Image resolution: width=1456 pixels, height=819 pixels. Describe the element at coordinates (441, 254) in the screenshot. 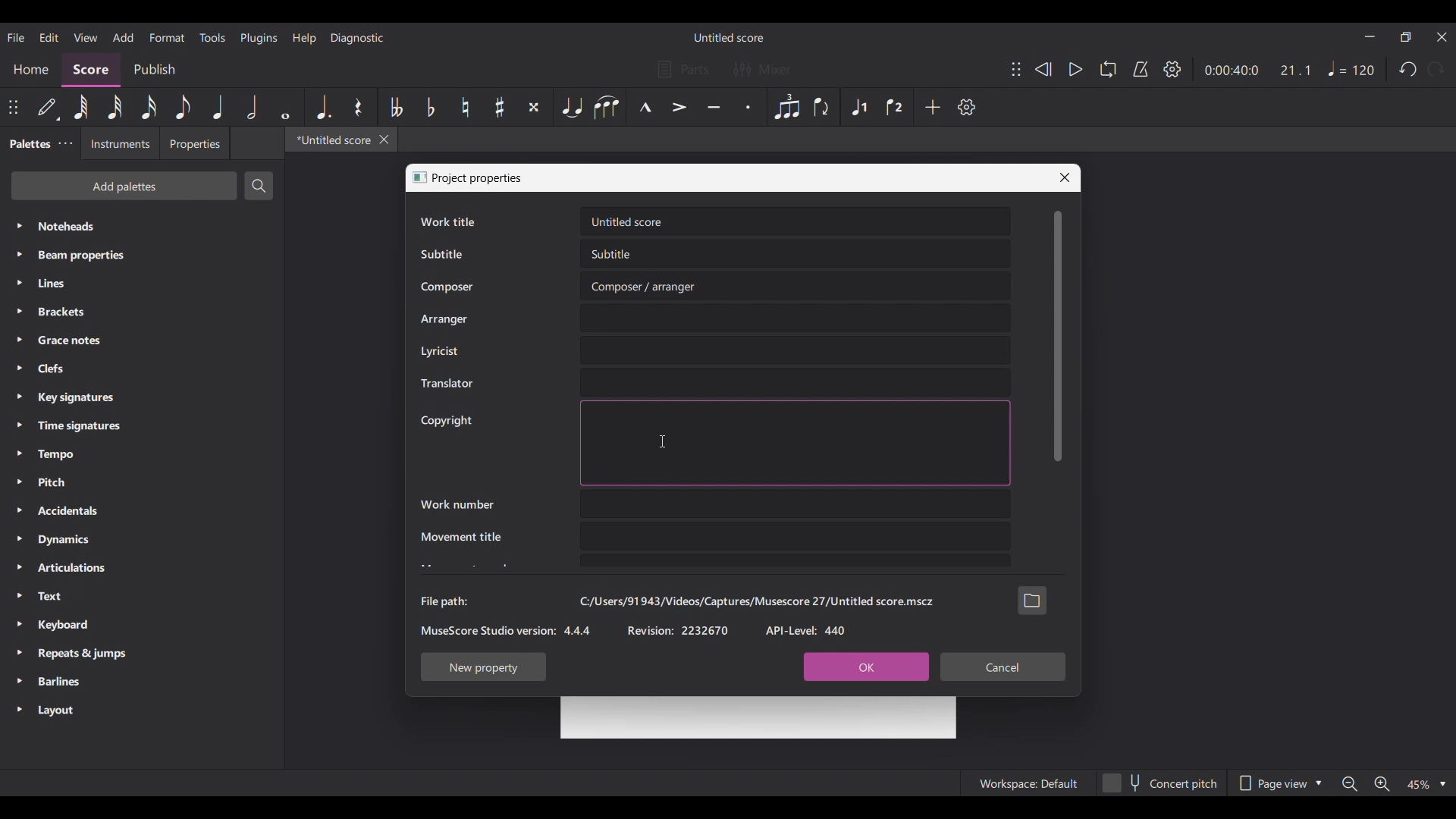

I see `Subtitle` at that location.